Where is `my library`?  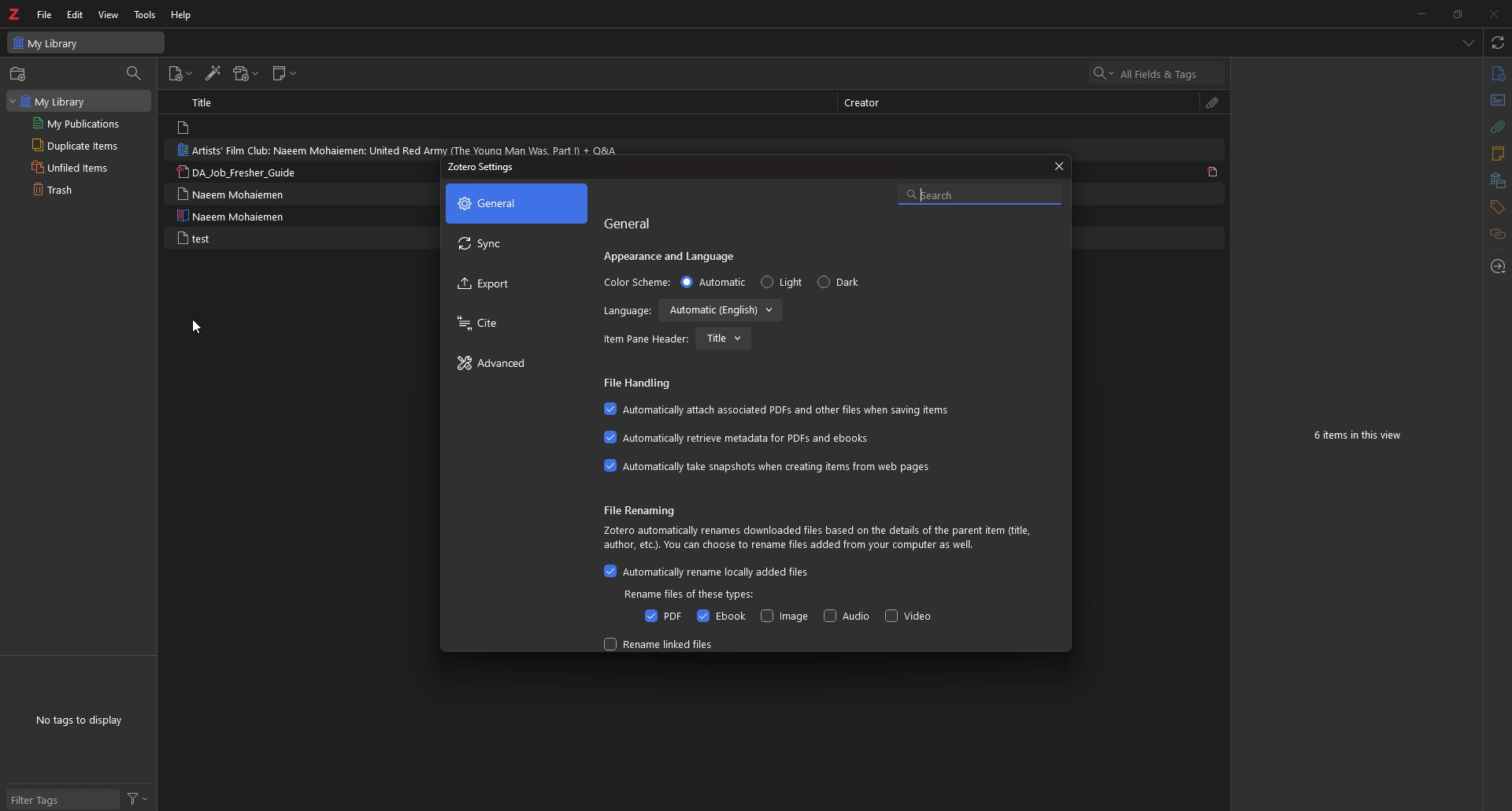 my library is located at coordinates (85, 43).